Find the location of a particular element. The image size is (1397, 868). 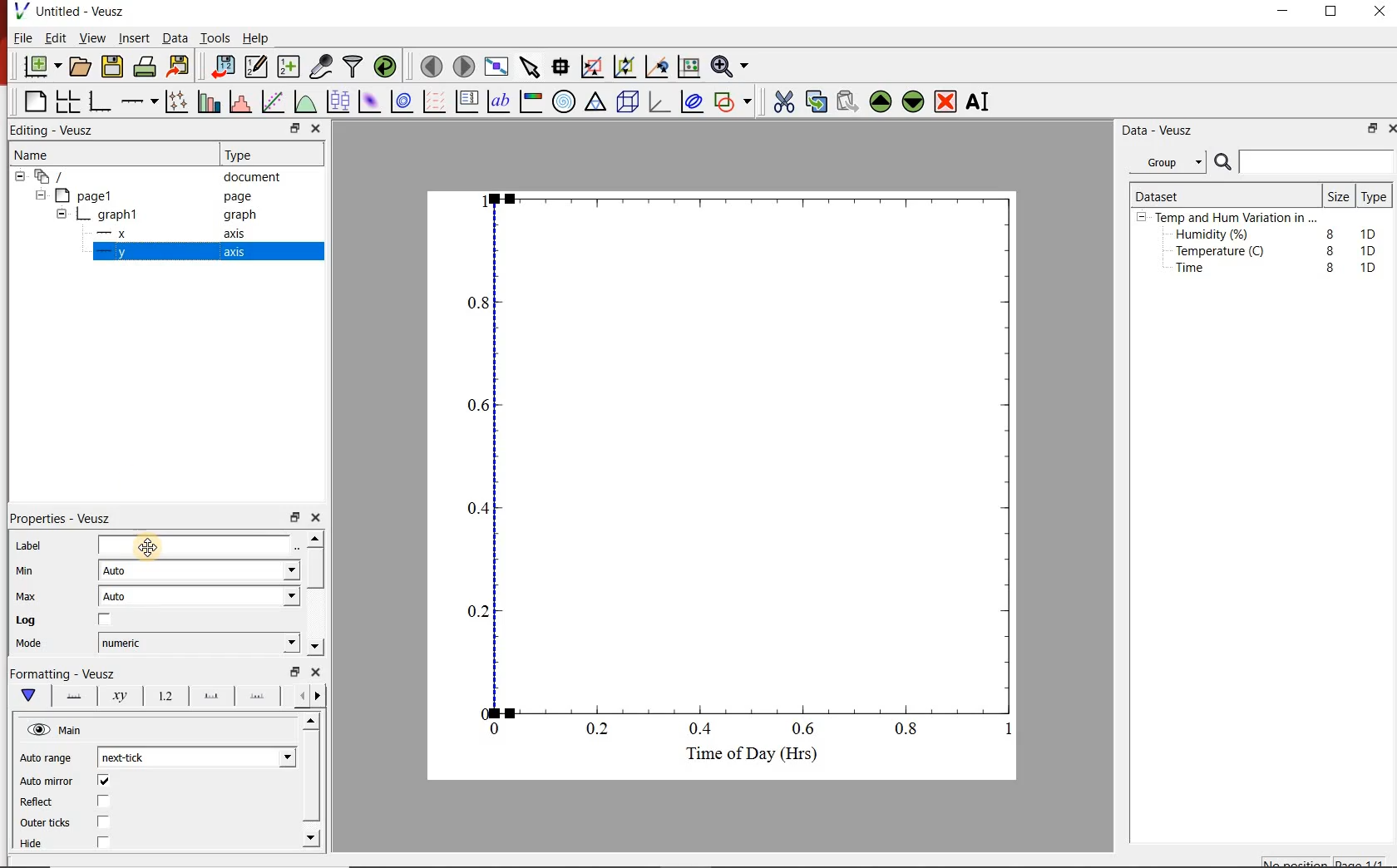

Rename the selected widget is located at coordinates (981, 101).